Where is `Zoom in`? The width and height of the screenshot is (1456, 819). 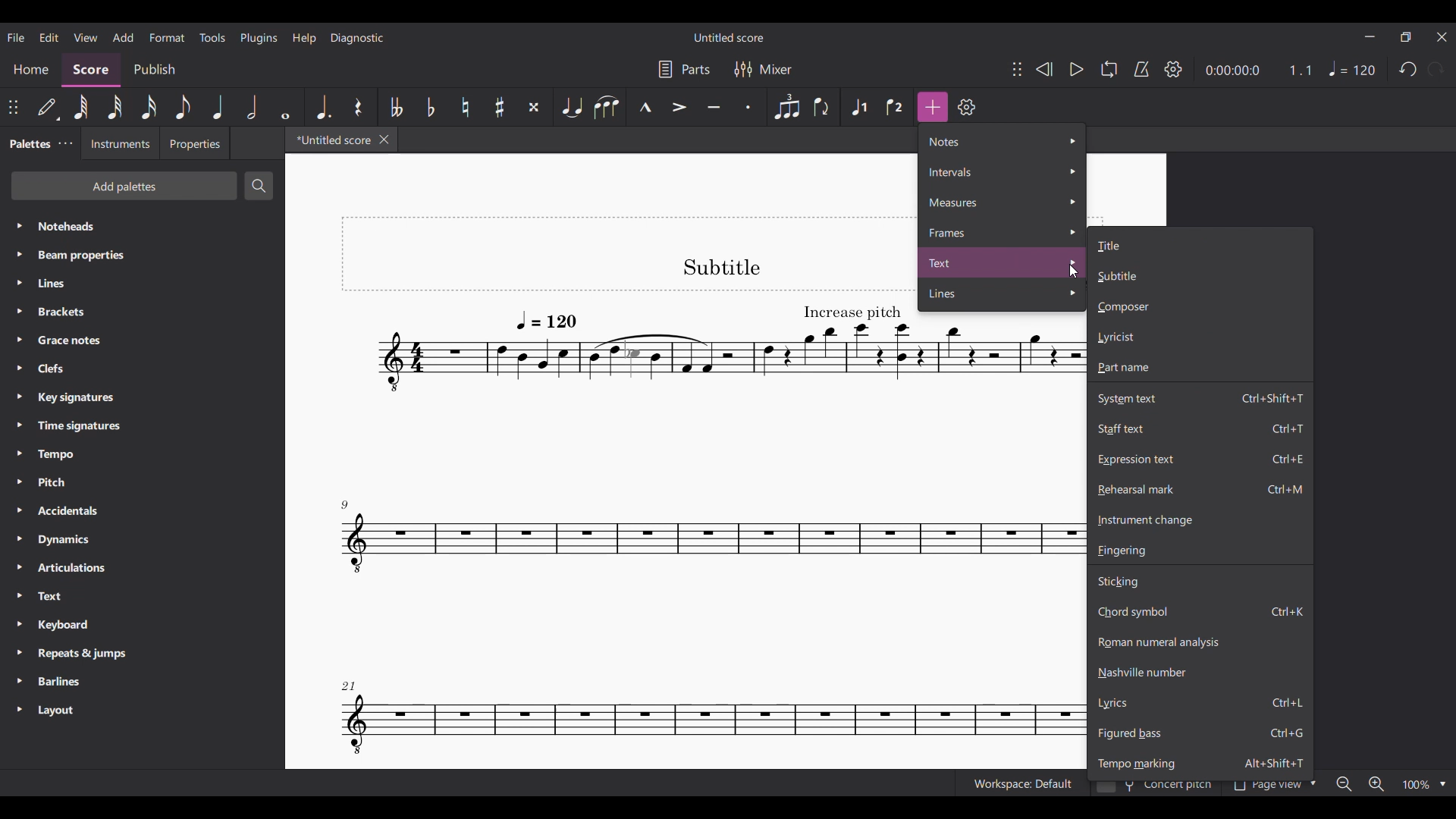 Zoom in is located at coordinates (1376, 784).